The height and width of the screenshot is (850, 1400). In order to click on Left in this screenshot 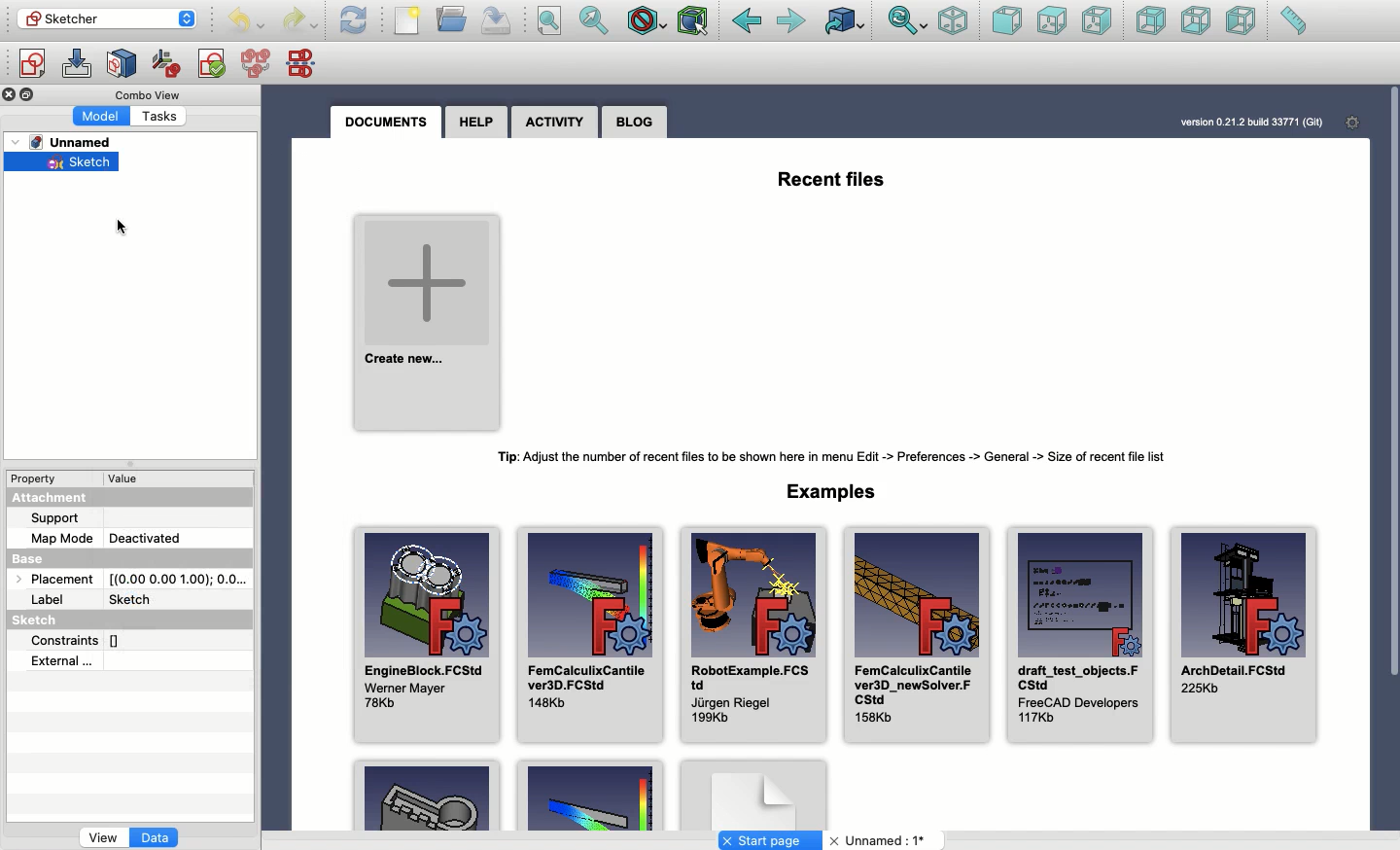, I will do `click(1242, 20)`.